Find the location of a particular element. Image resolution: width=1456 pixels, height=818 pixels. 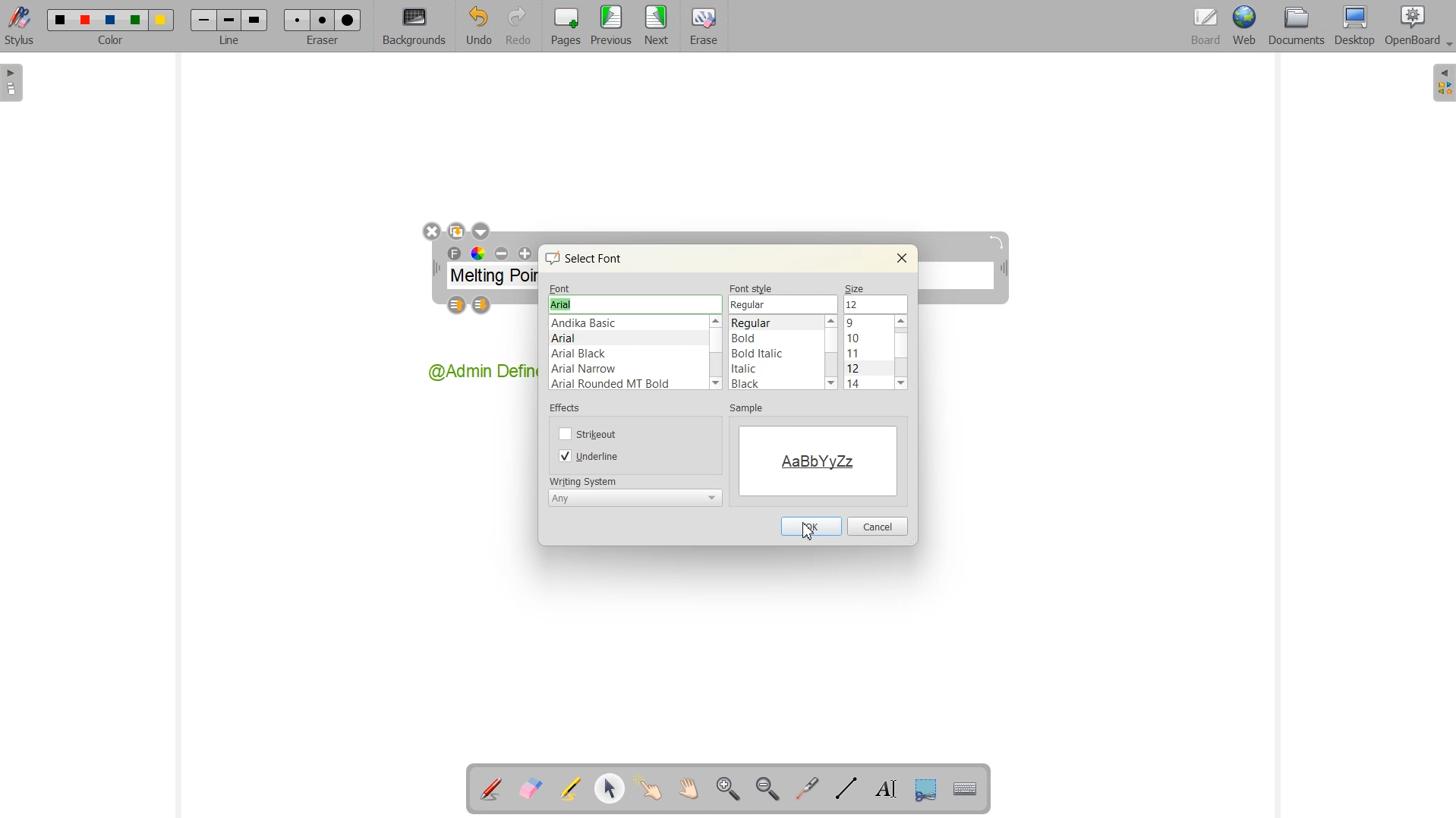

 is located at coordinates (611, 27).